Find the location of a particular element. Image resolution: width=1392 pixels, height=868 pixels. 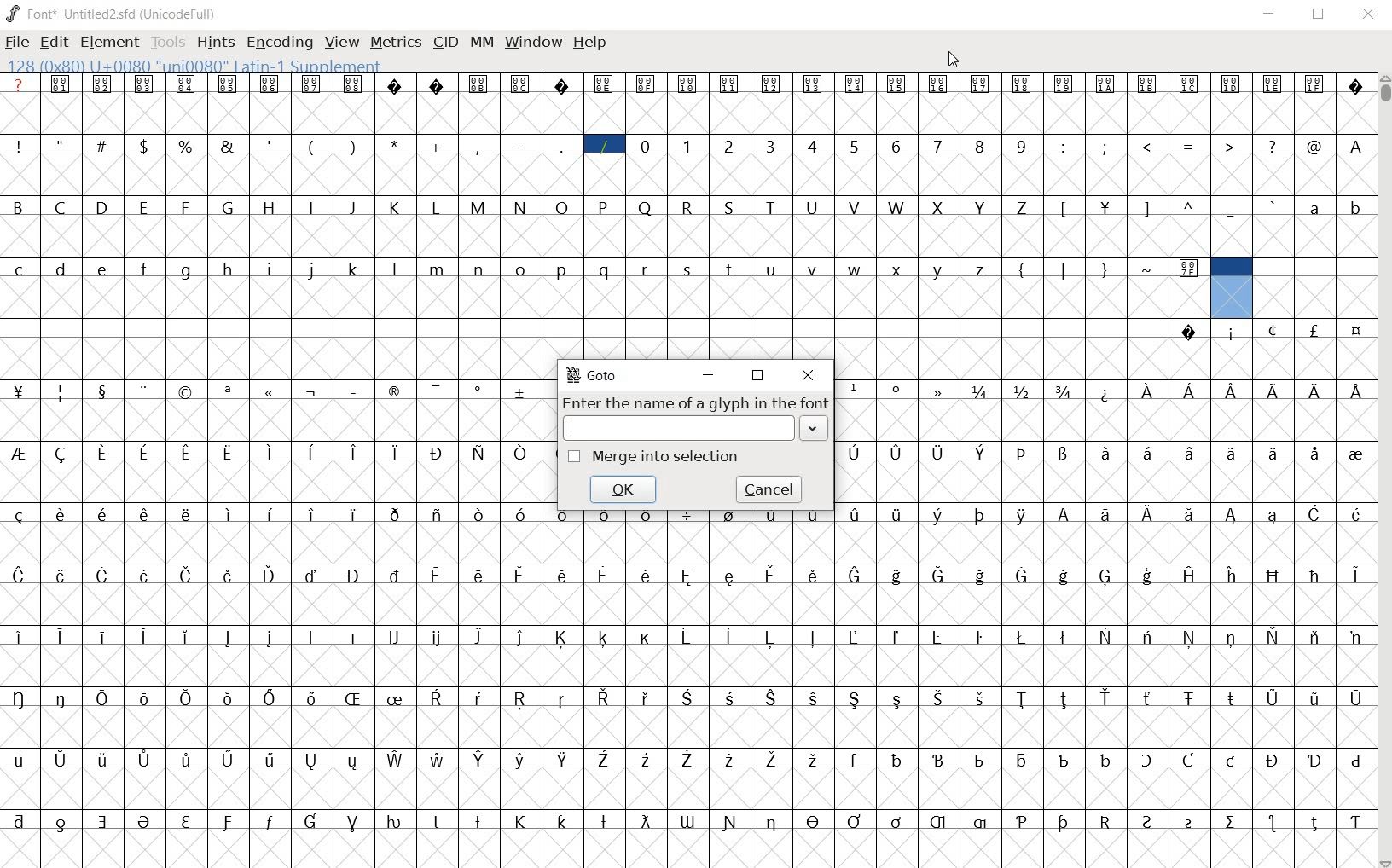

Symbol is located at coordinates (1022, 83).